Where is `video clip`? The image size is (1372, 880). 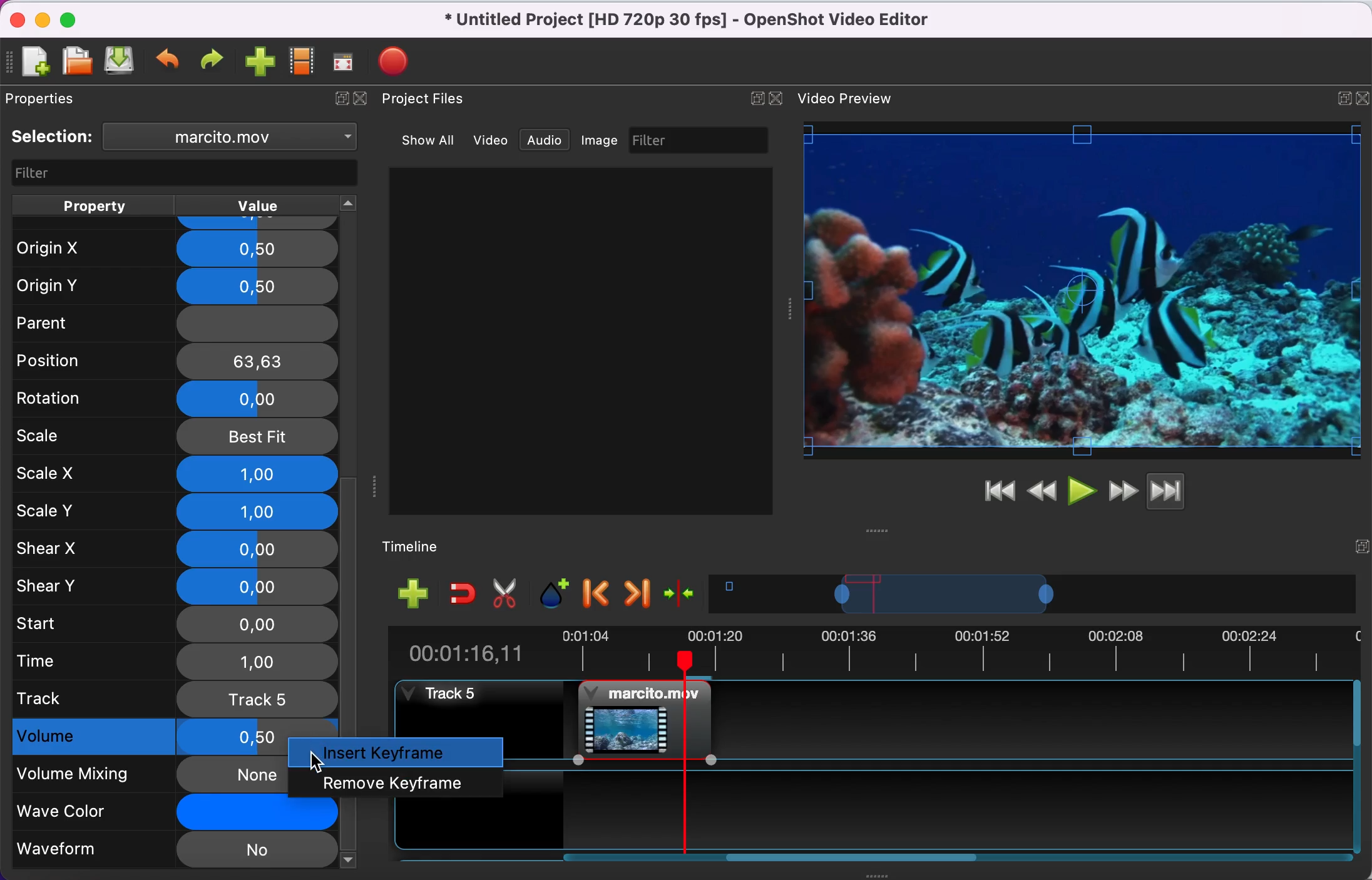 video clip is located at coordinates (638, 719).